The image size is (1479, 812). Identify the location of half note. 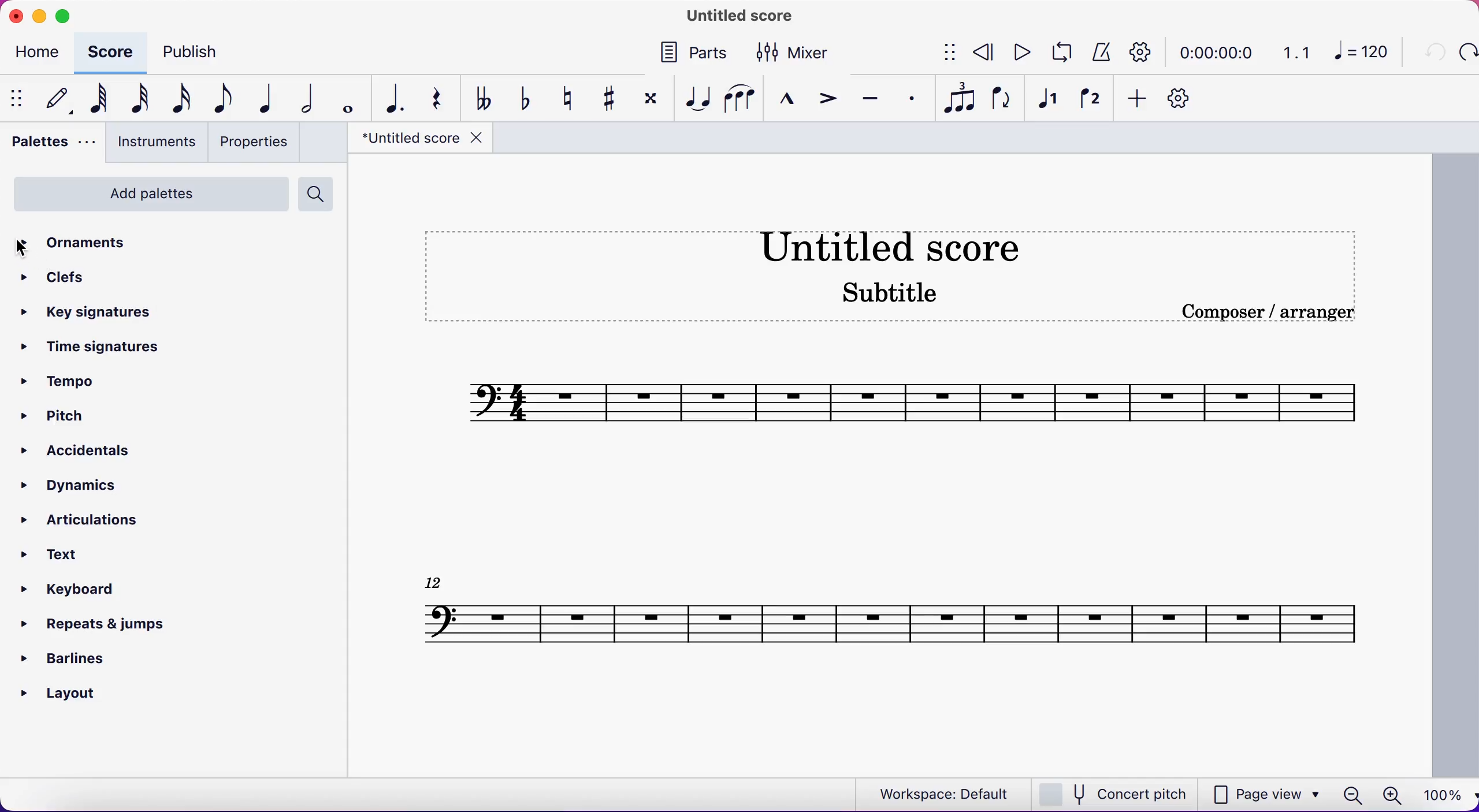
(302, 98).